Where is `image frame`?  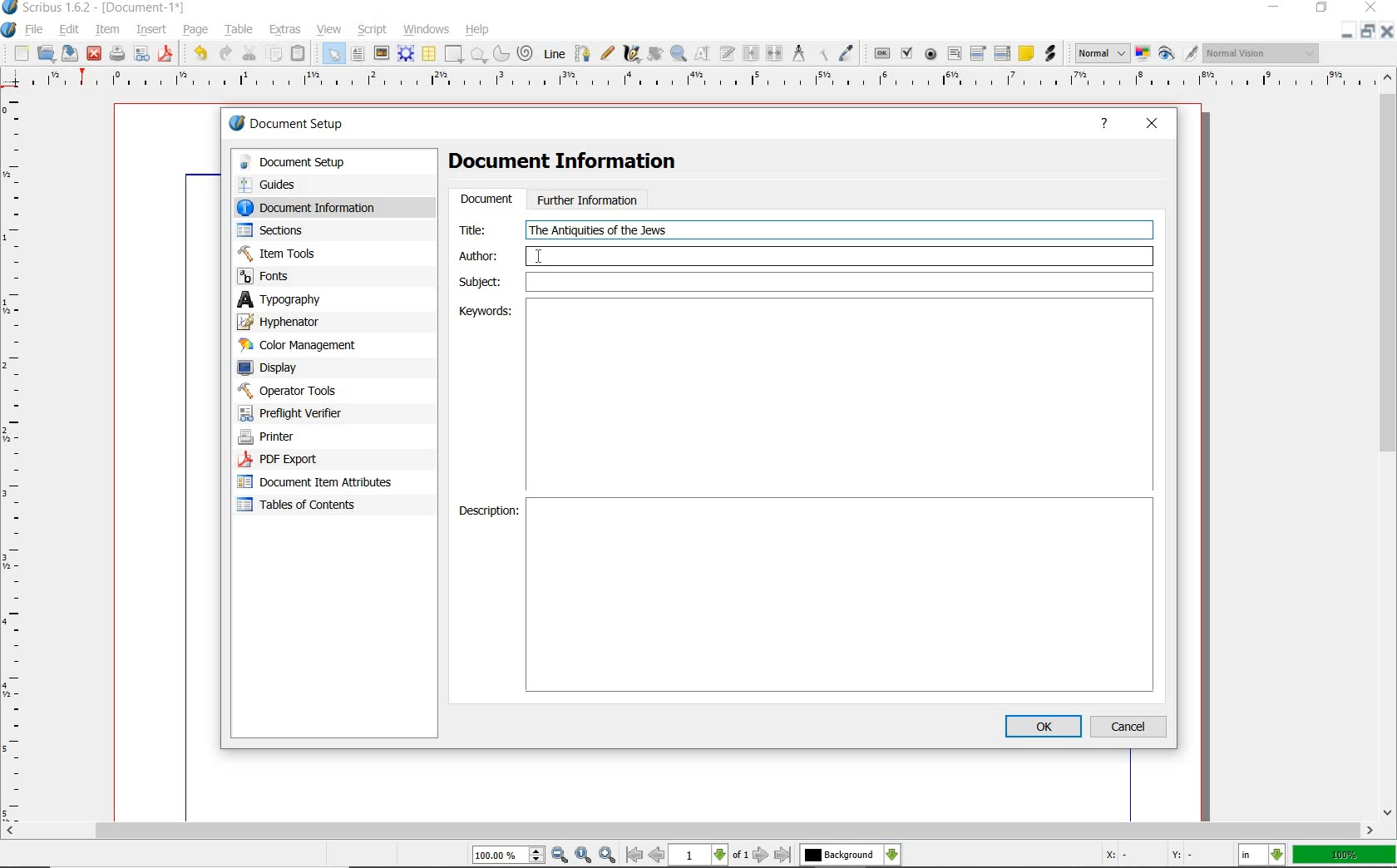
image frame is located at coordinates (382, 52).